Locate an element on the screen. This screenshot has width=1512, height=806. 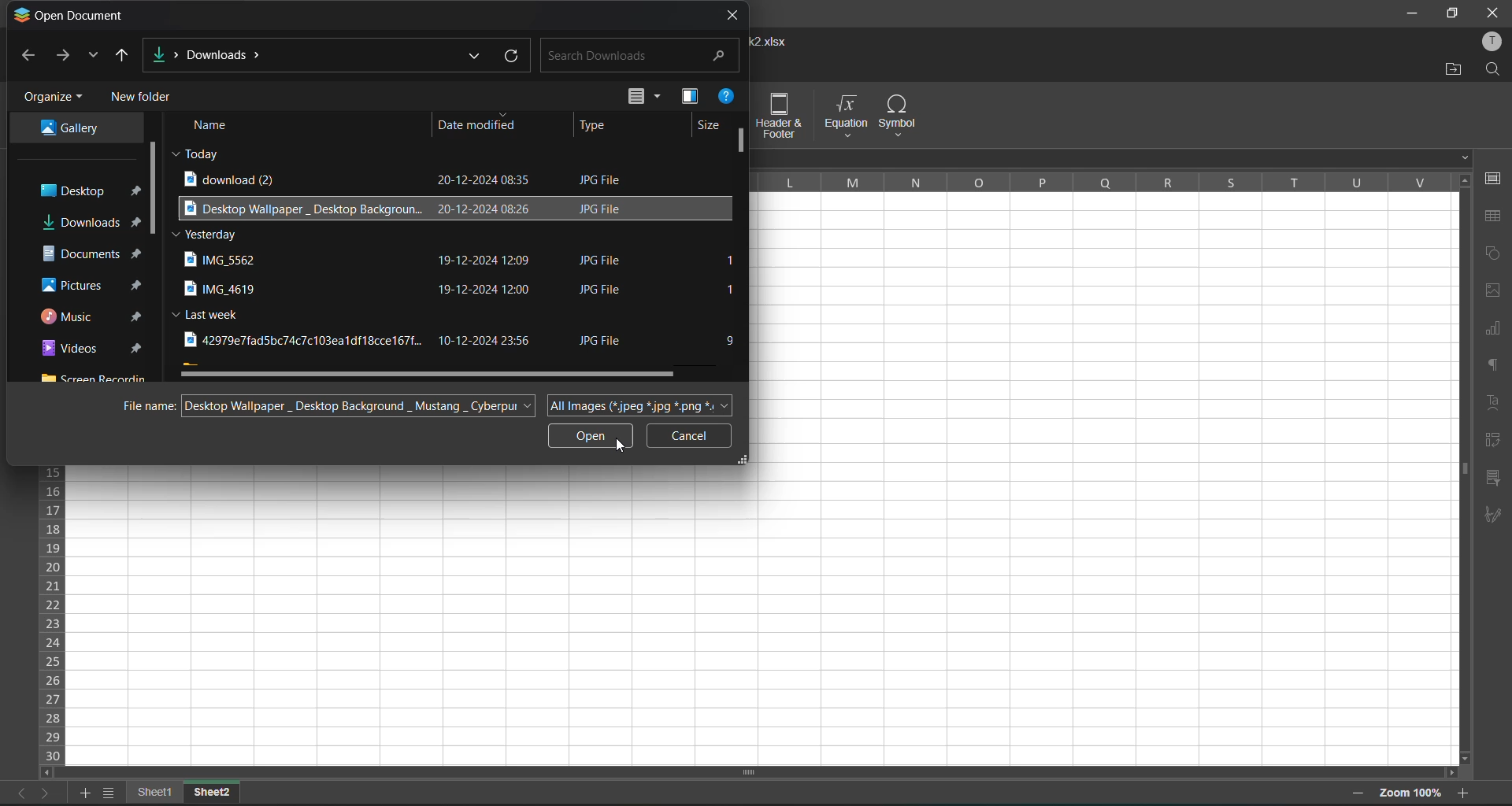
previous locations is located at coordinates (474, 57).